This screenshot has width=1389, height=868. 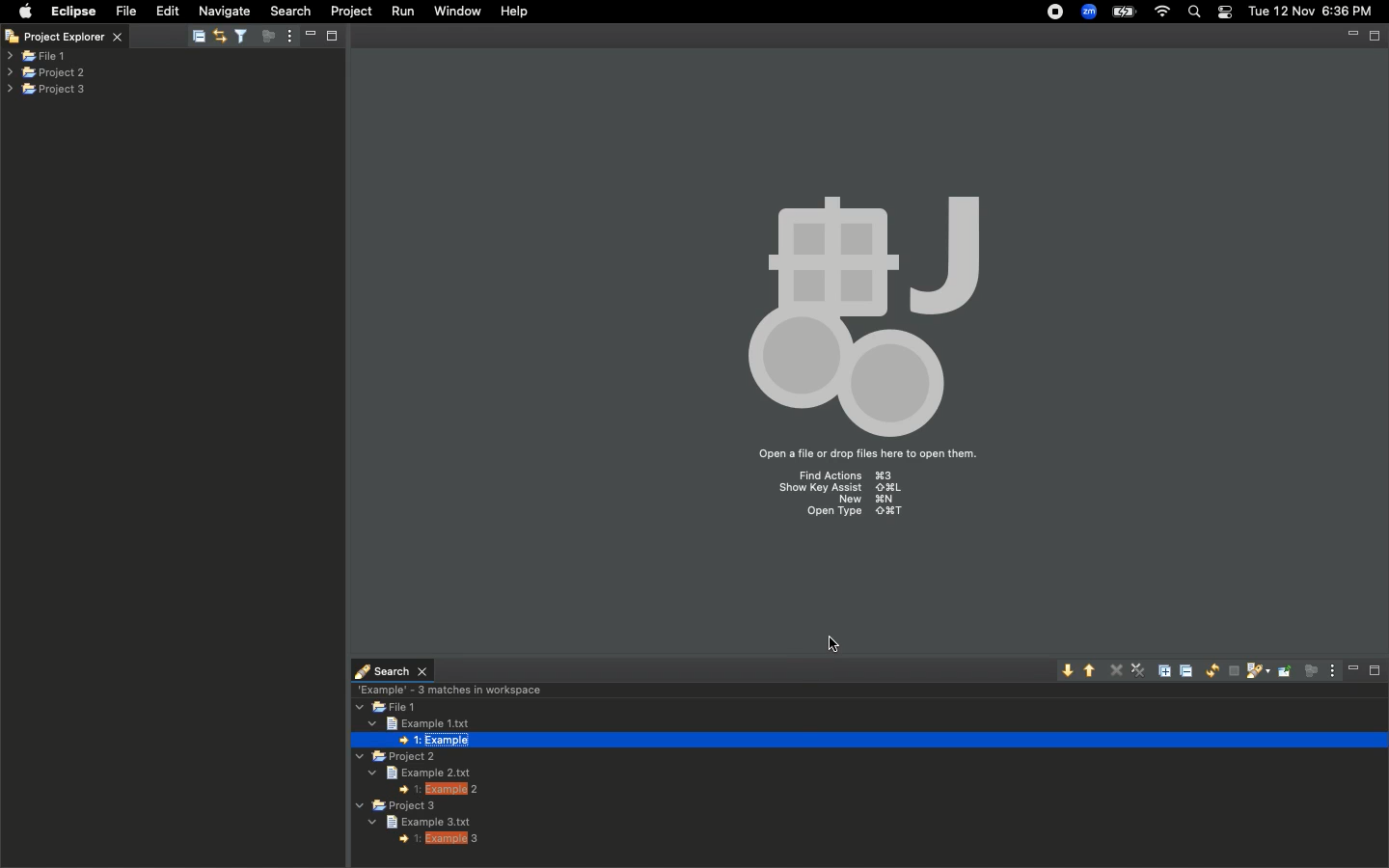 I want to click on minimize, so click(x=1352, y=37).